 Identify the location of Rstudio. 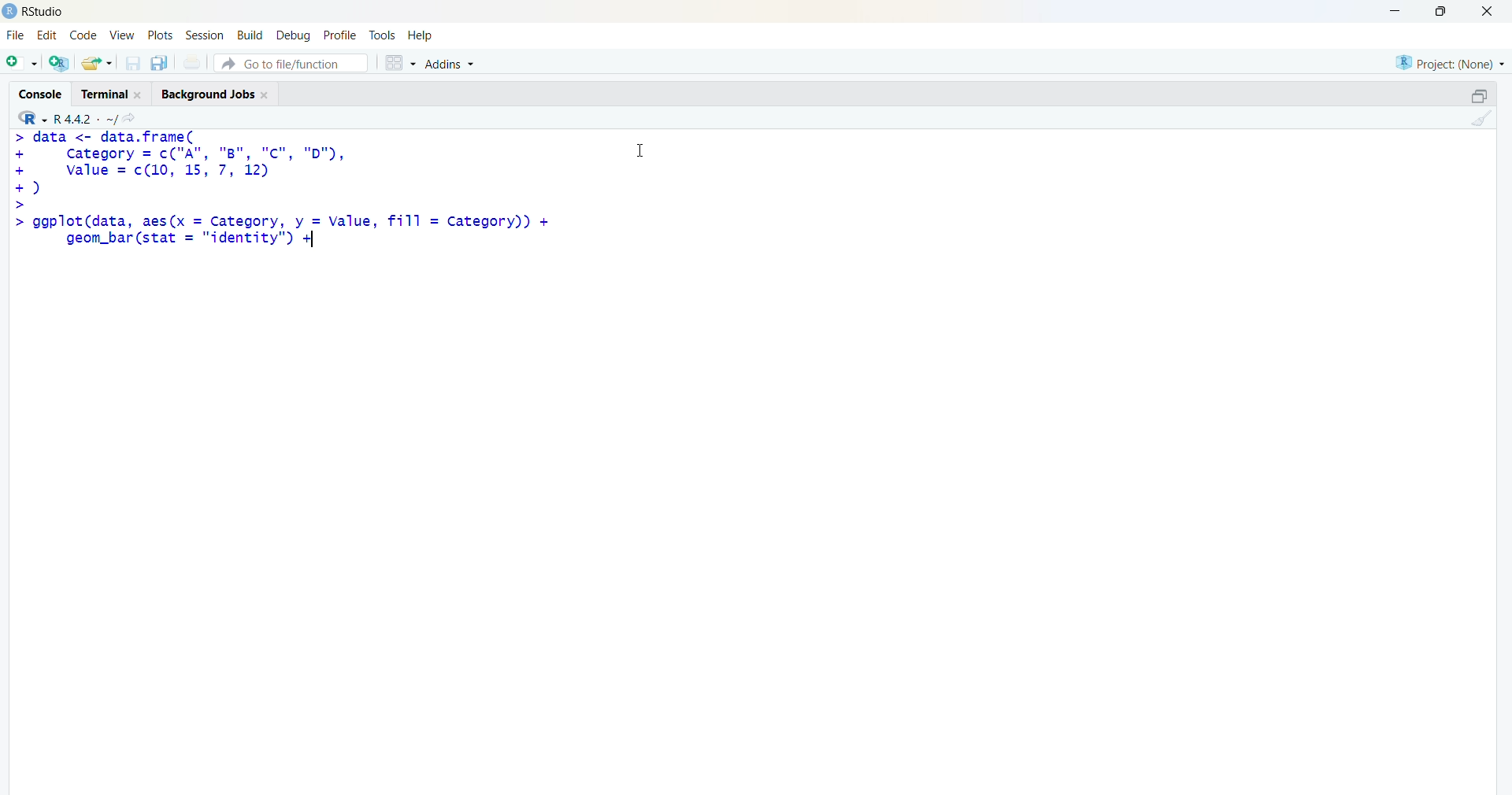
(48, 12).